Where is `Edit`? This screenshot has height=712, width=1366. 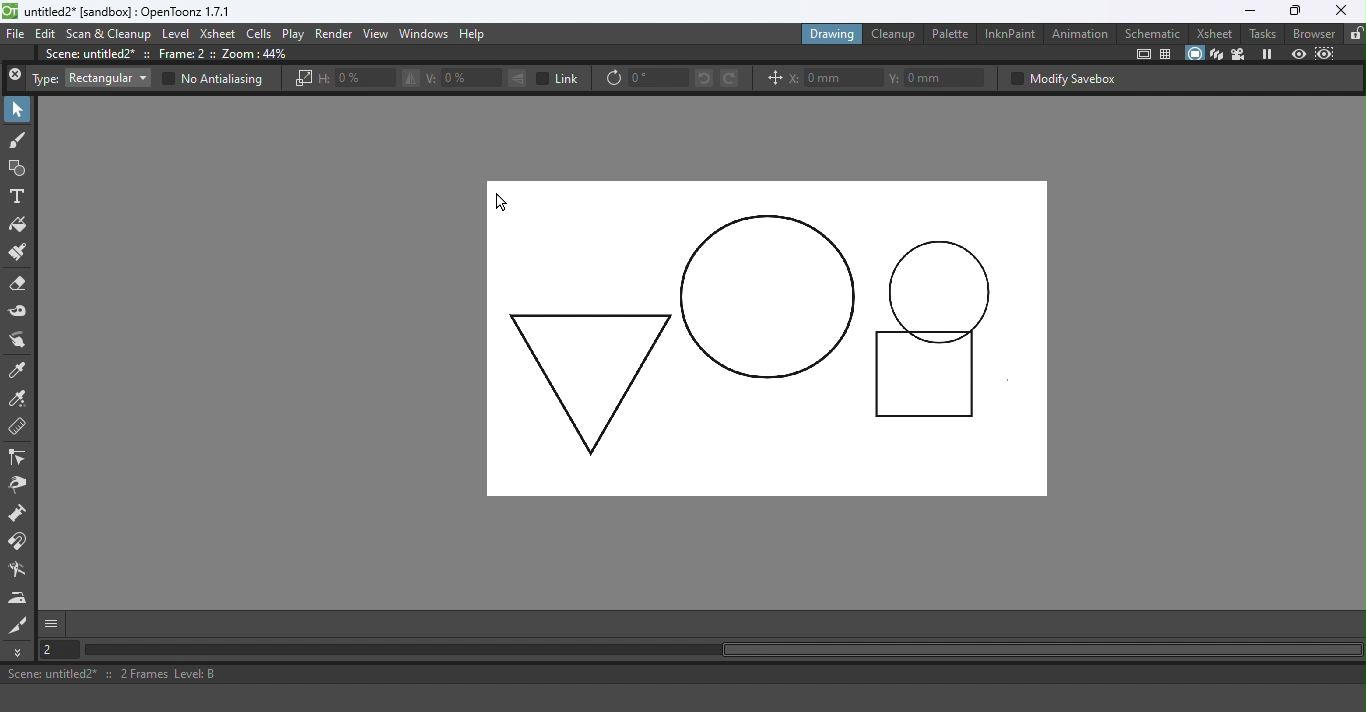
Edit is located at coordinates (46, 35).